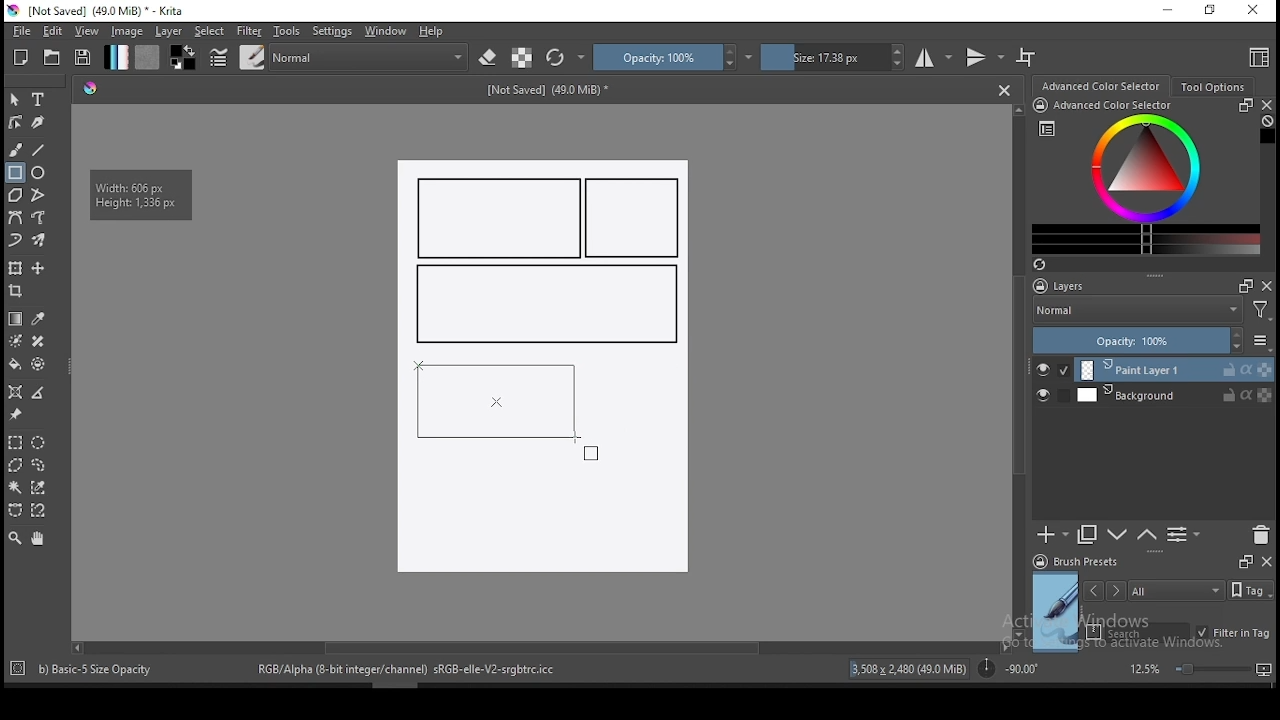  Describe the element at coordinates (14, 442) in the screenshot. I see `rectangular selection tool` at that location.